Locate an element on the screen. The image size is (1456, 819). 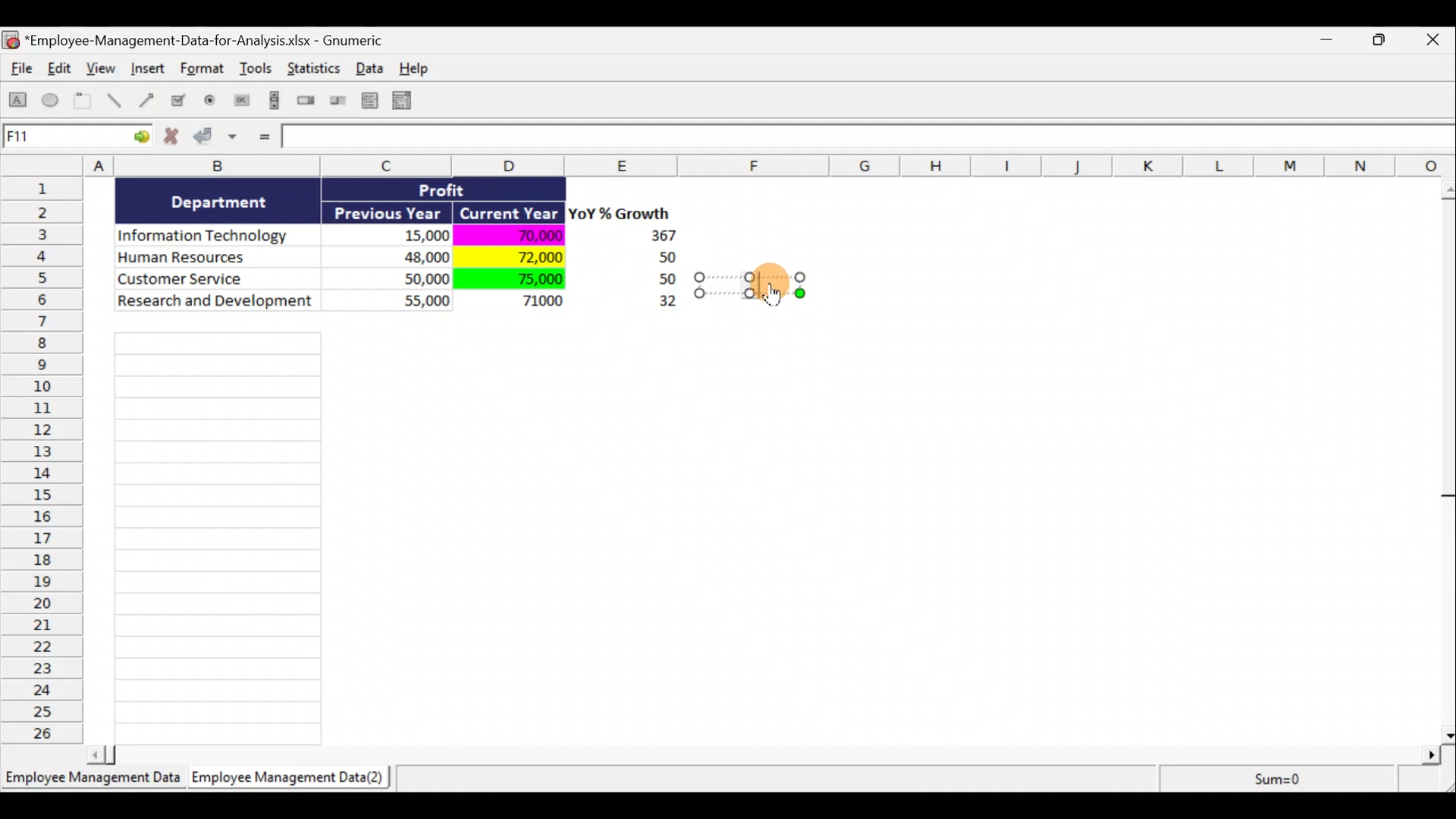
Data is located at coordinates (374, 67).